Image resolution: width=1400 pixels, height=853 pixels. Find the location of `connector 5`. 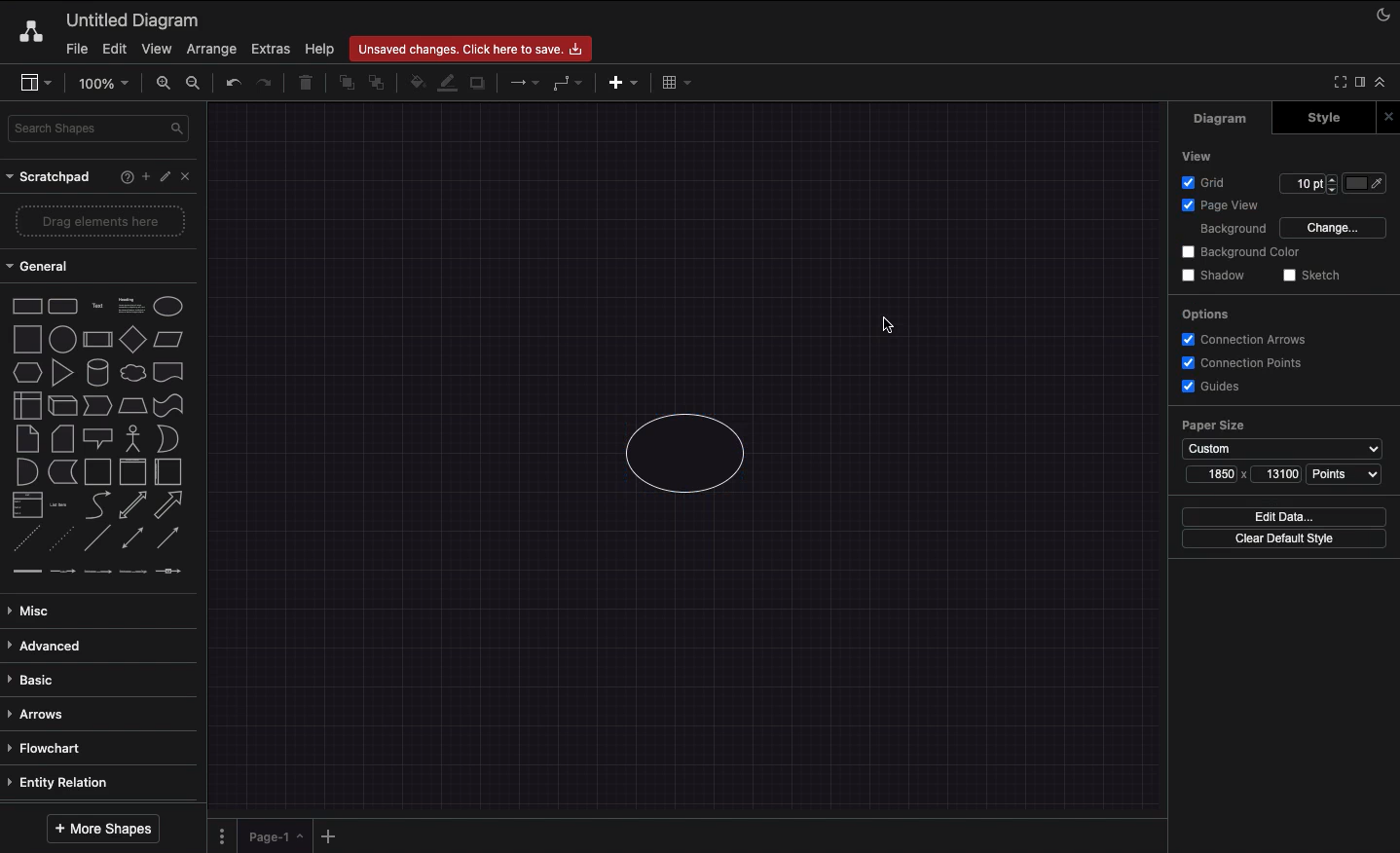

connector 5 is located at coordinates (170, 571).